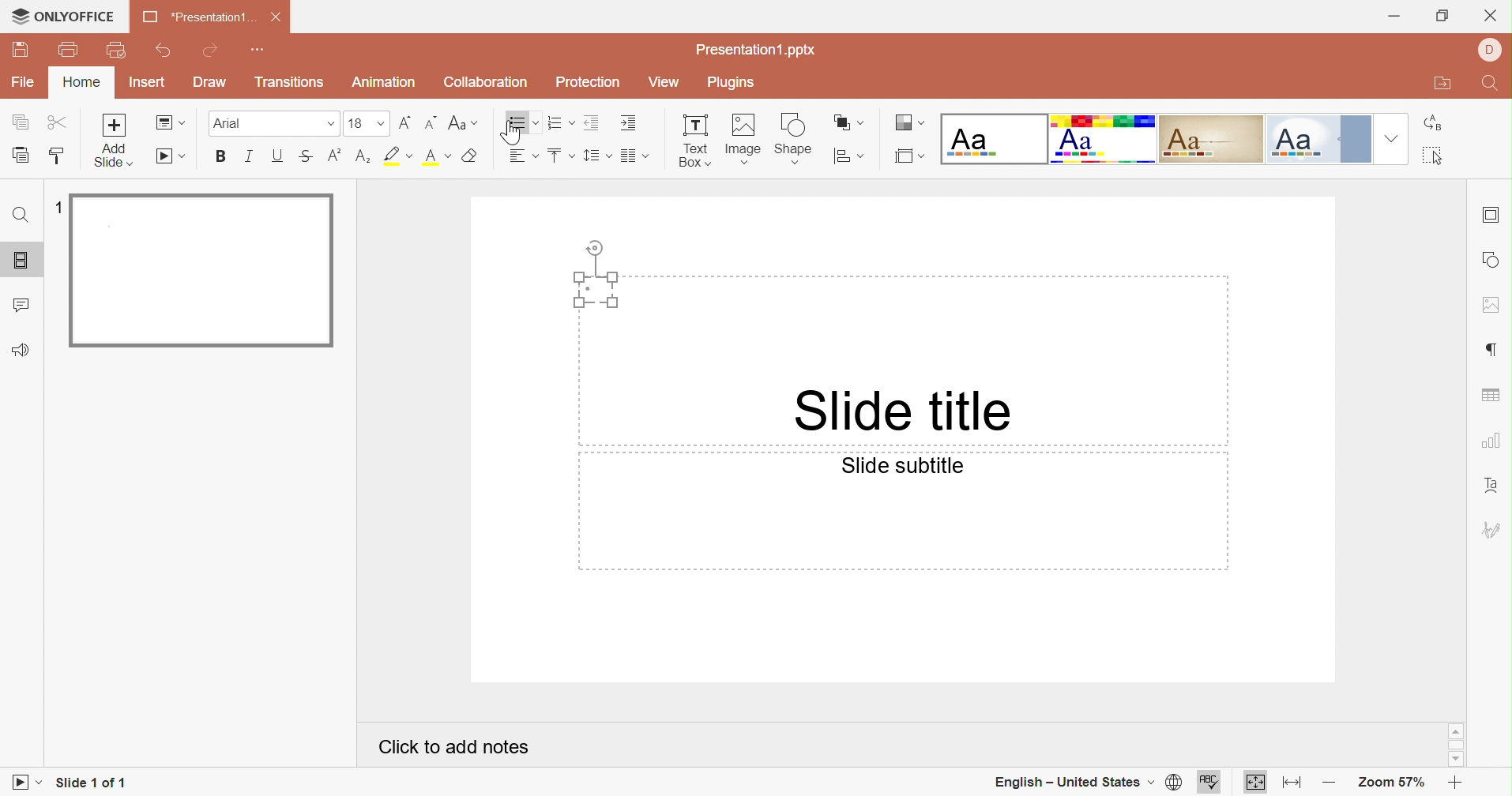 Image resolution: width=1512 pixels, height=796 pixels. What do you see at coordinates (629, 156) in the screenshot?
I see `Merge and center` at bounding box center [629, 156].